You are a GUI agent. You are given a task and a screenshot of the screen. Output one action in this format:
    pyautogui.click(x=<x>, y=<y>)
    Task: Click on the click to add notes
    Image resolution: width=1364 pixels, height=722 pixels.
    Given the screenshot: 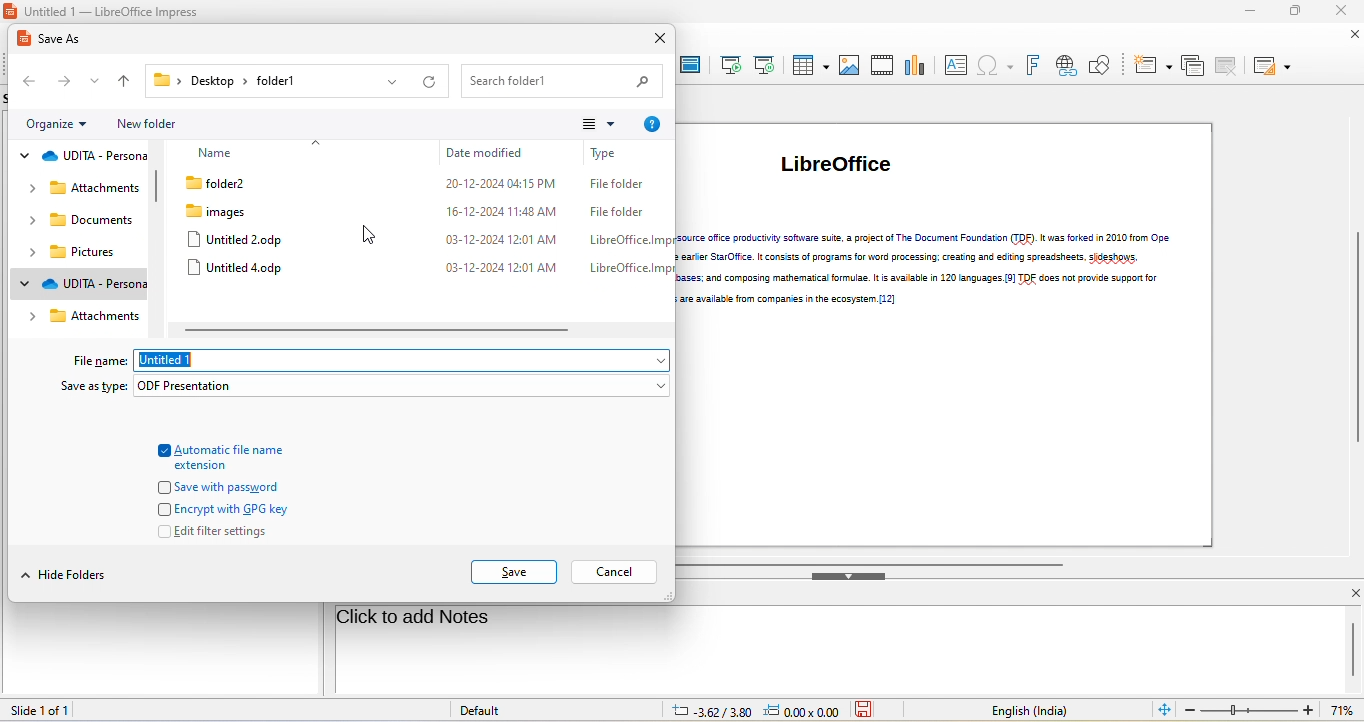 What is the action you would take?
    pyautogui.click(x=413, y=619)
    